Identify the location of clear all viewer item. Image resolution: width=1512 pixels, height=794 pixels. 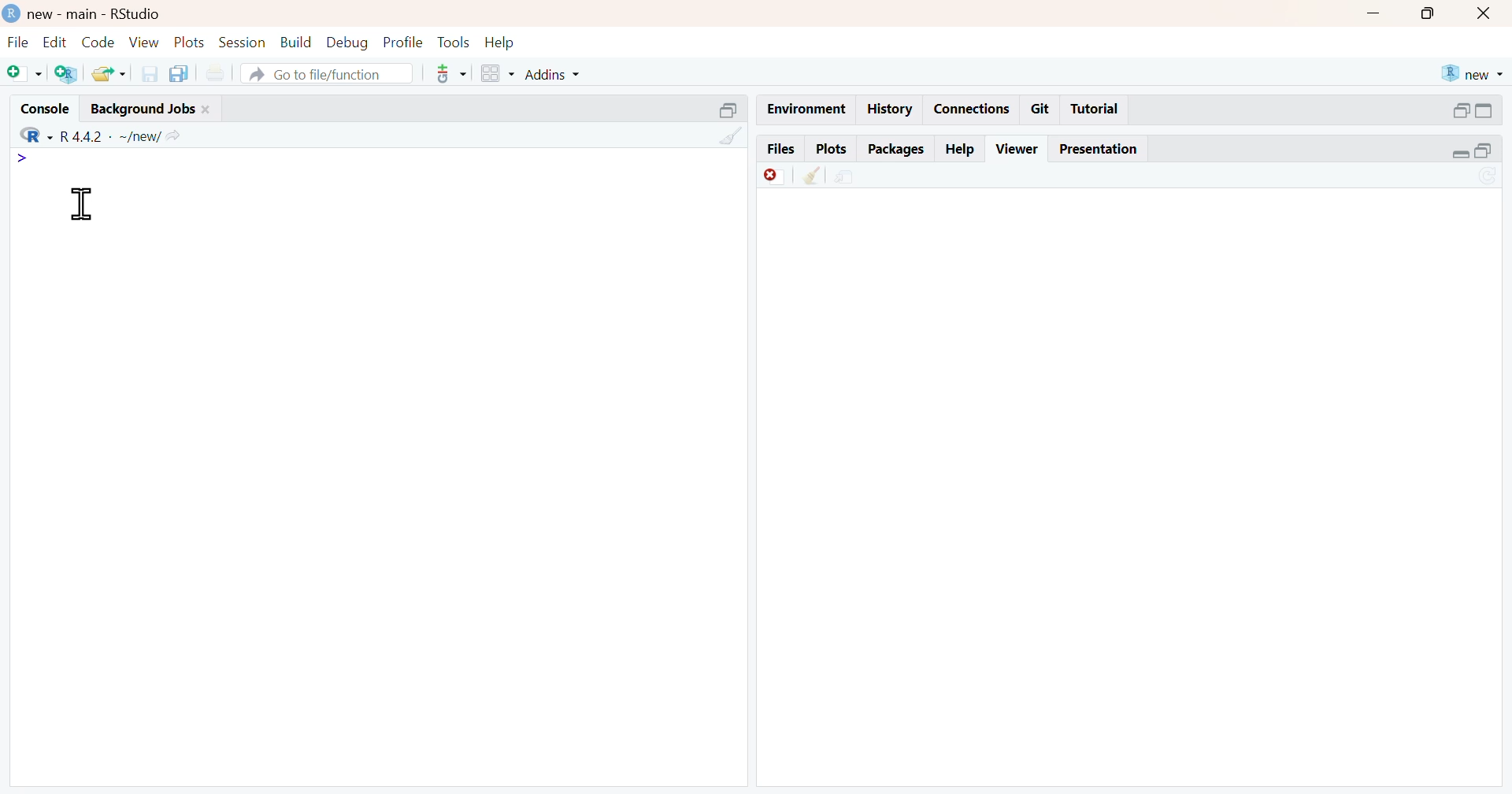
(813, 177).